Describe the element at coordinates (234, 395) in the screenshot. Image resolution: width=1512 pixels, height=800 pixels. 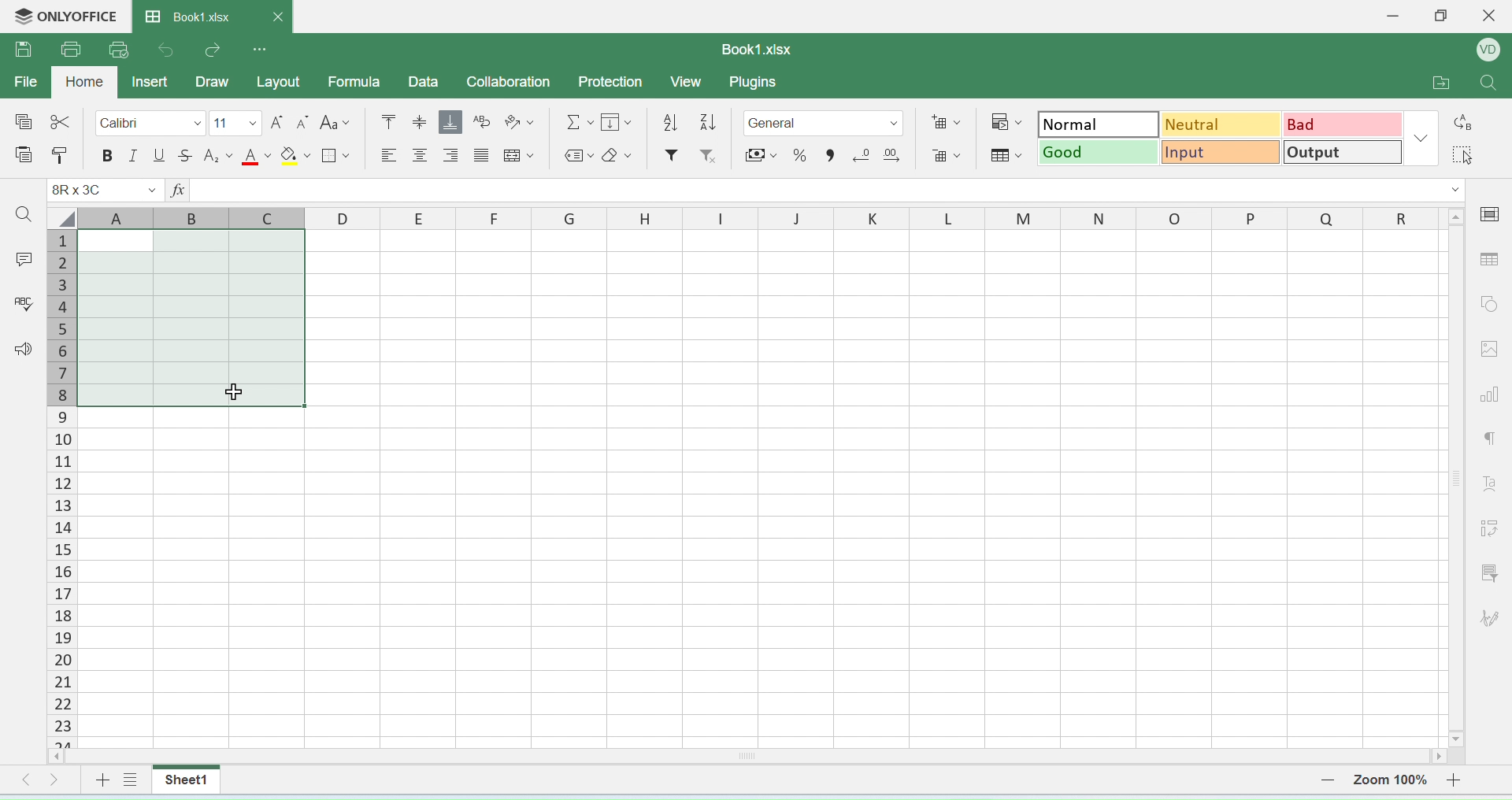
I see `cursor on selected cell` at that location.